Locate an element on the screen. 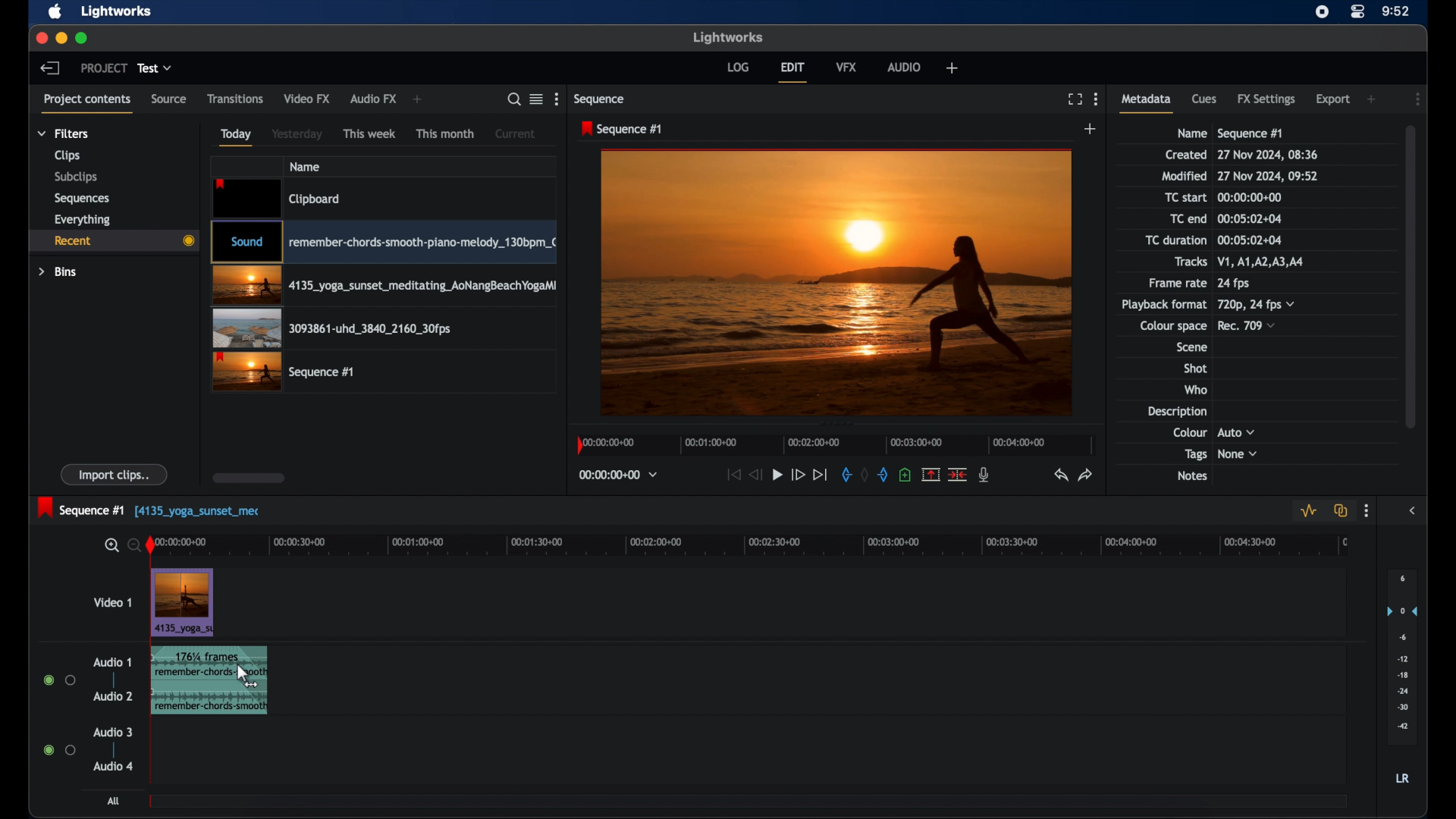 The image size is (1456, 819). audio fx is located at coordinates (374, 99).